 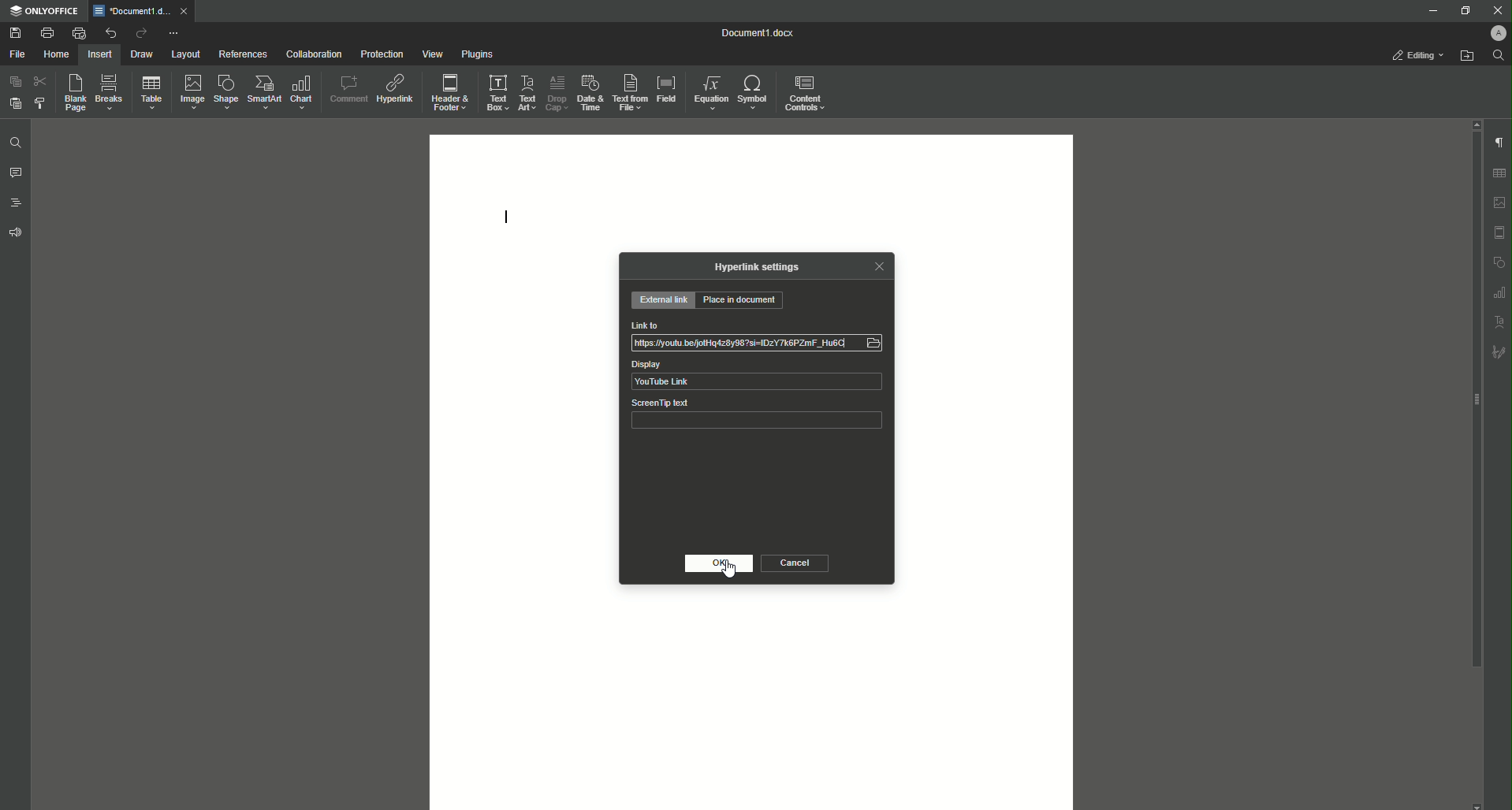 I want to click on Choose Styling, so click(x=39, y=103).